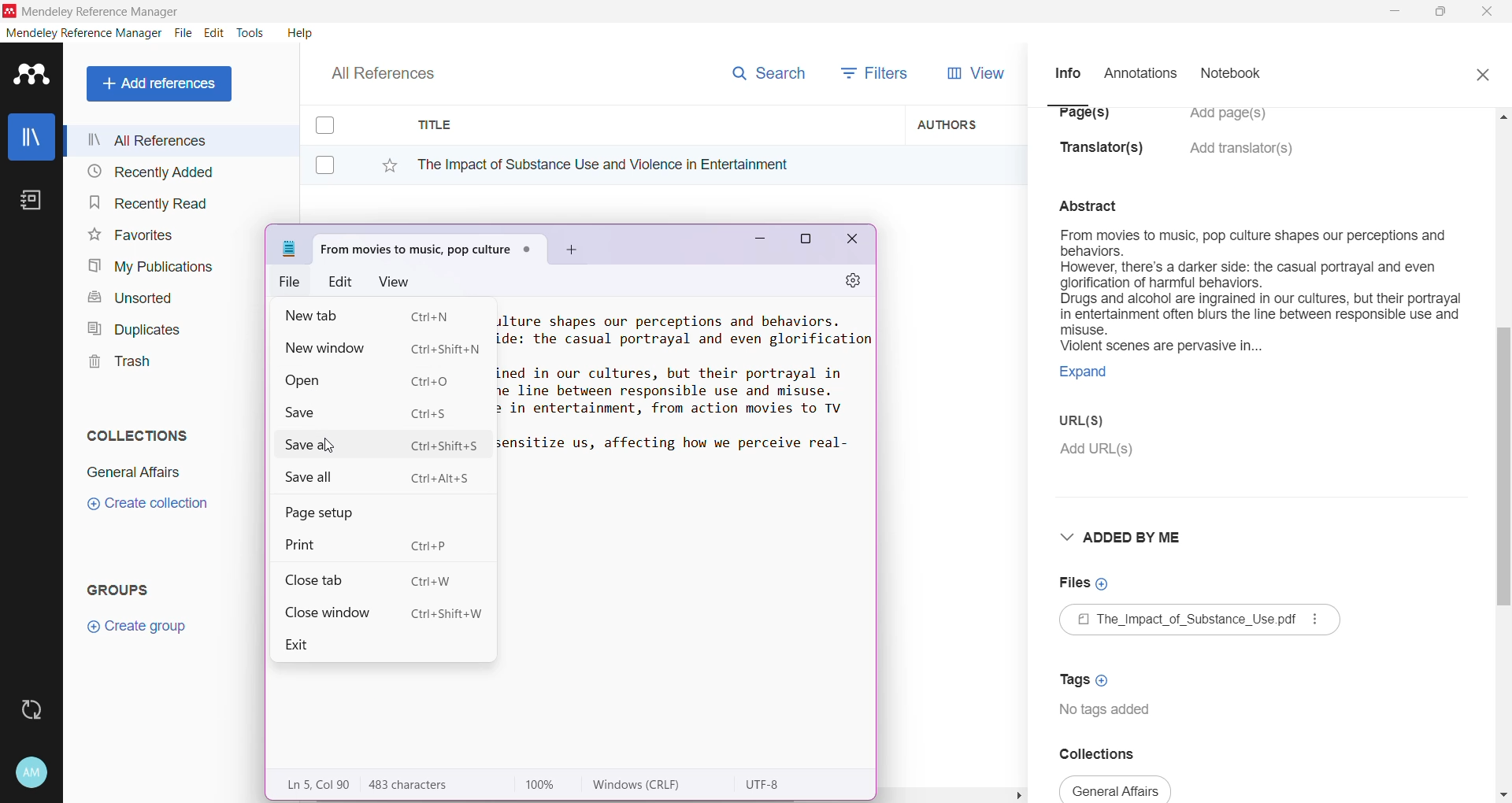 The width and height of the screenshot is (1512, 803). Describe the element at coordinates (1243, 157) in the screenshot. I see `Click to Add translators` at that location.